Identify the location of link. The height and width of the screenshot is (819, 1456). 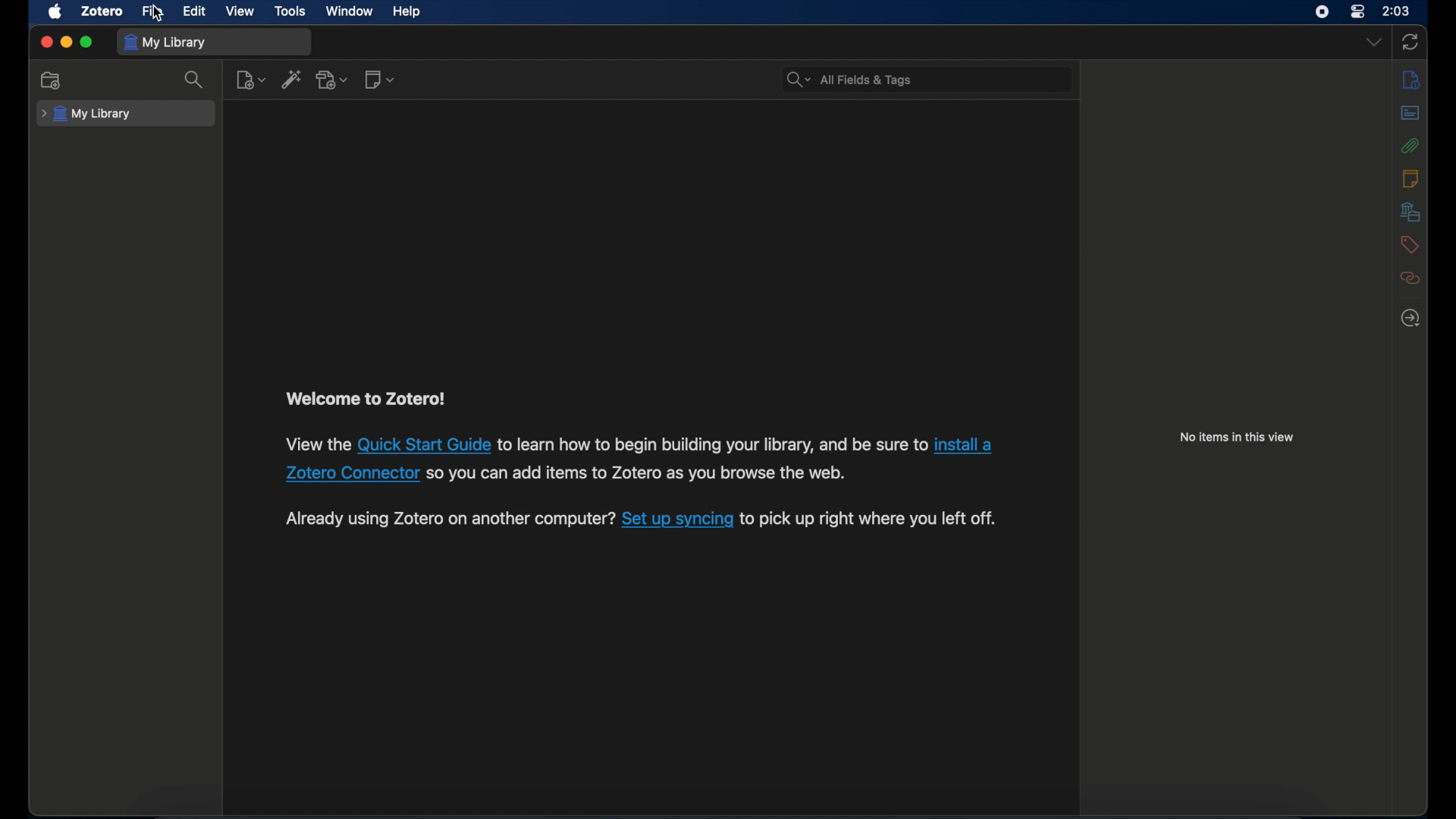
(424, 446).